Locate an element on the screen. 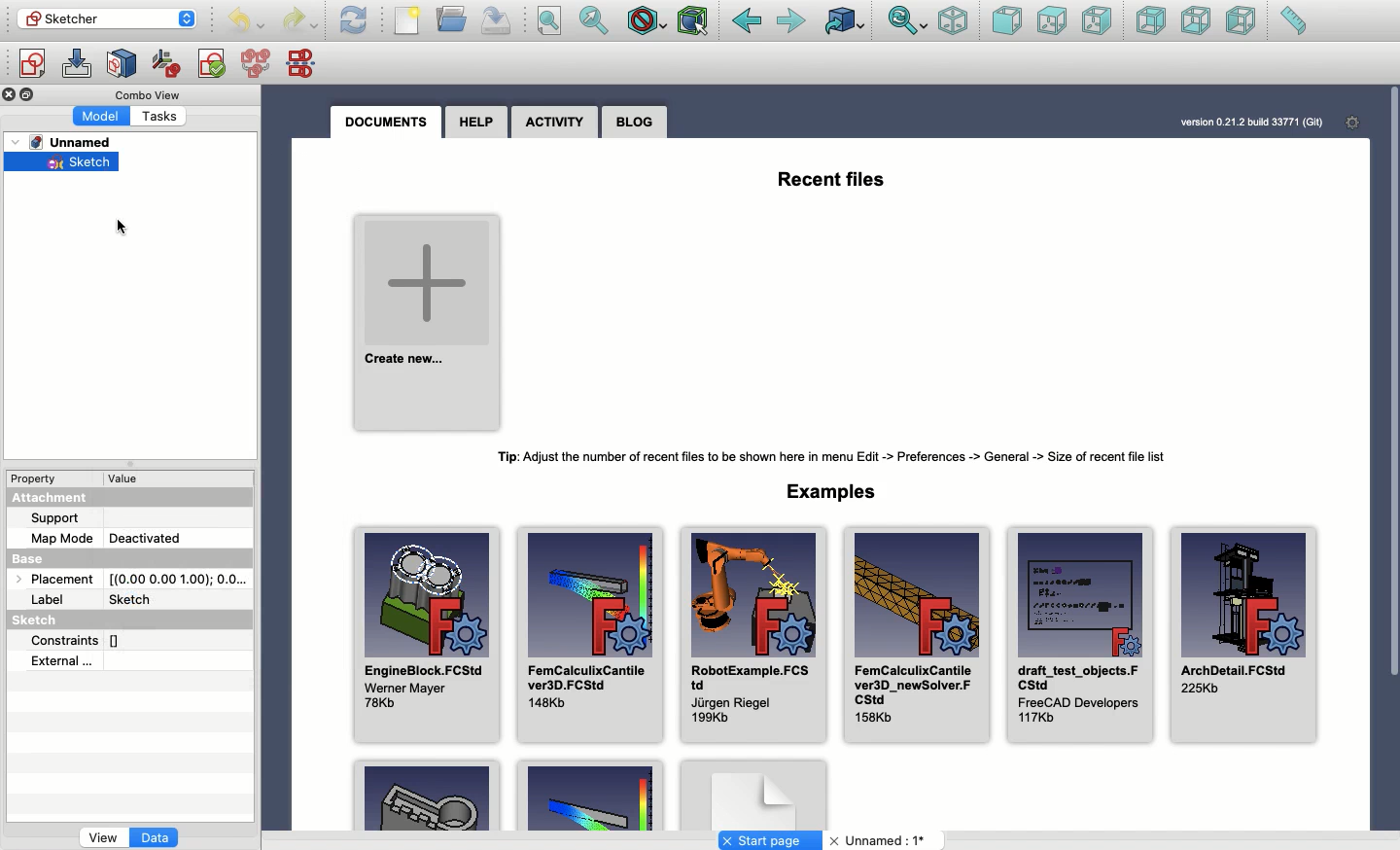 The width and height of the screenshot is (1400, 850). Create new is located at coordinates (429, 318).